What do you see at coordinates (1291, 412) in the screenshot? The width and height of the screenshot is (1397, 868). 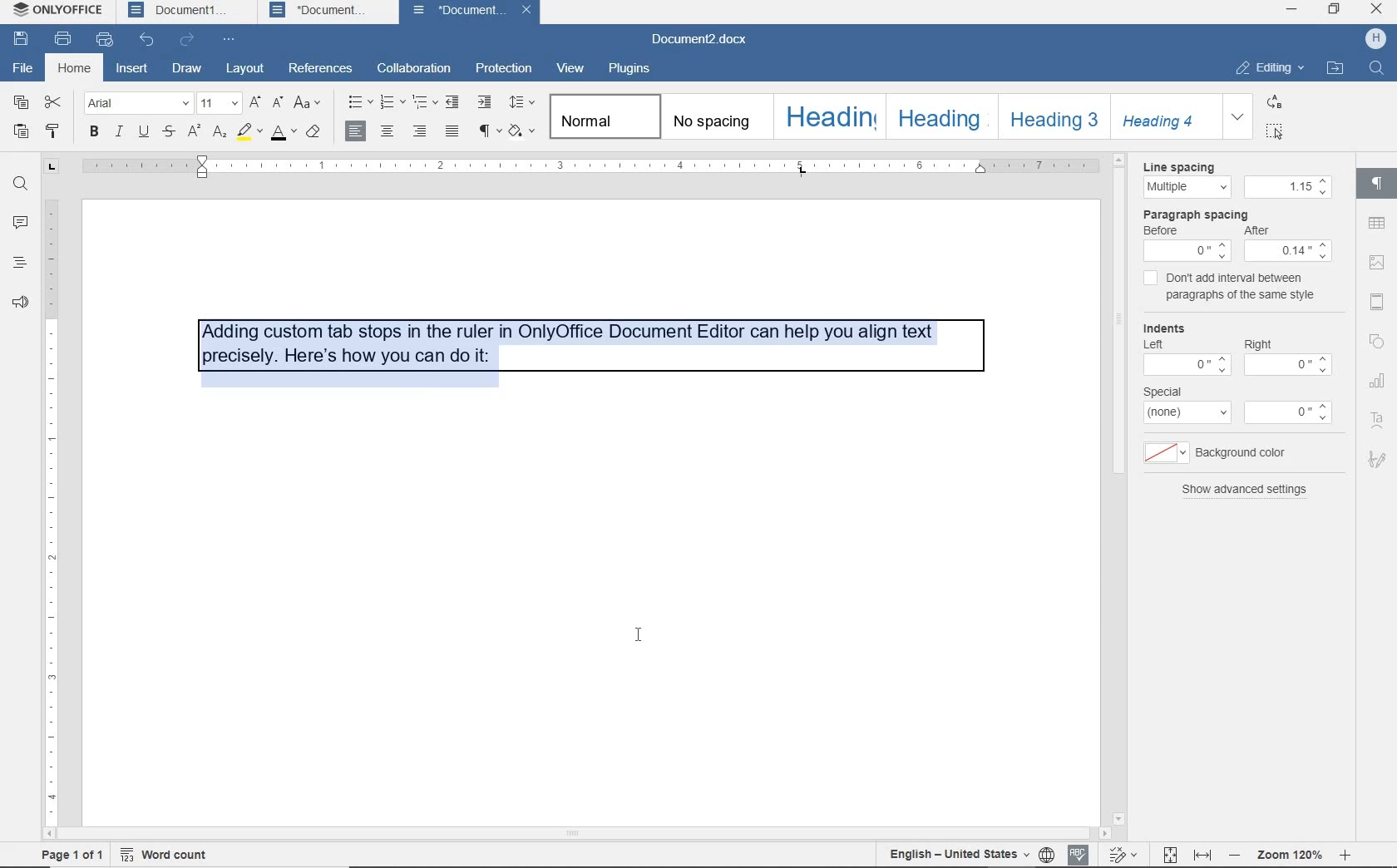 I see `menu` at bounding box center [1291, 412].